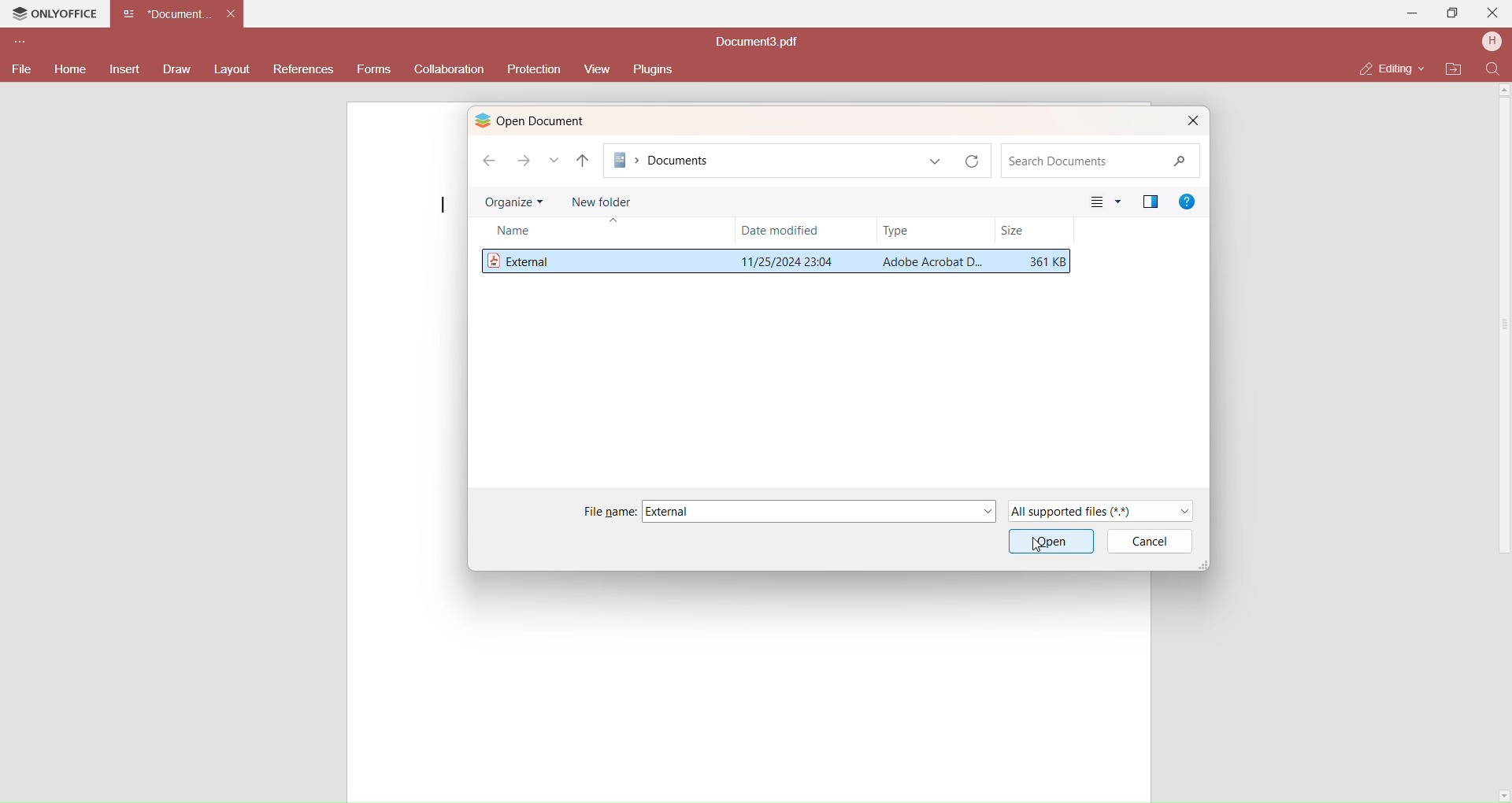 The image size is (1512, 803). I want to click on Reload, so click(976, 161).